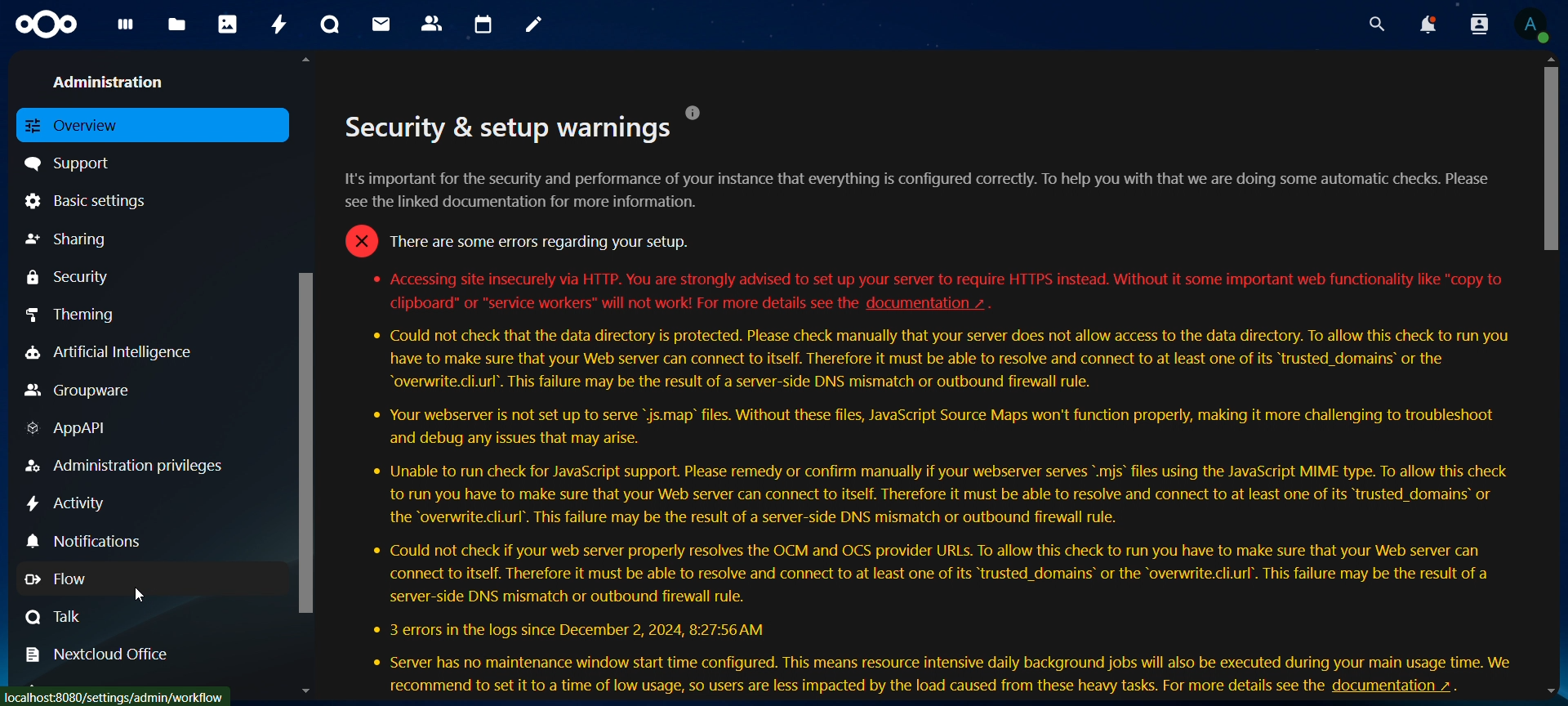  What do you see at coordinates (281, 25) in the screenshot?
I see `activity` at bounding box center [281, 25].